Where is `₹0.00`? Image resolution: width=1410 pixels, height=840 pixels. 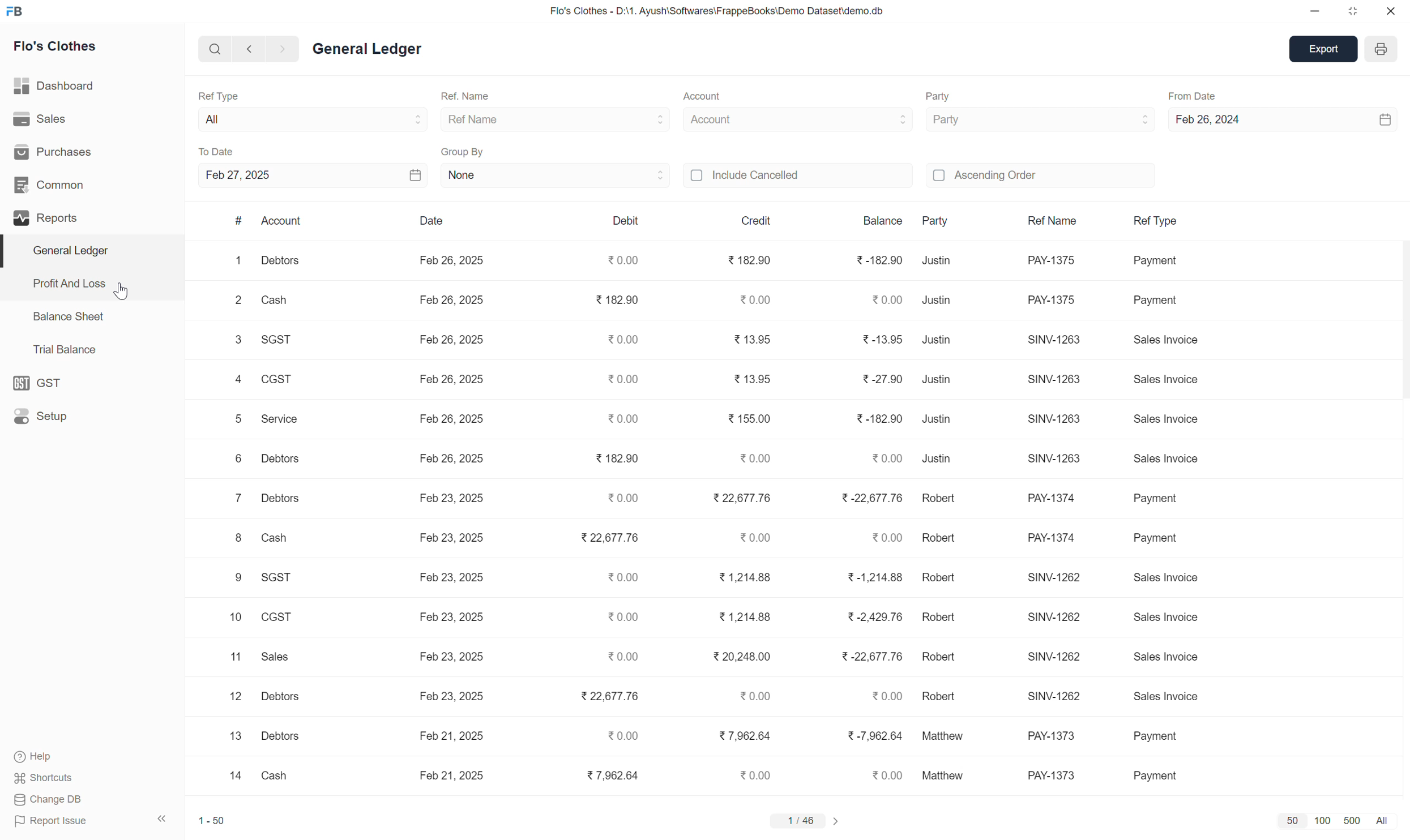 ₹0.00 is located at coordinates (750, 541).